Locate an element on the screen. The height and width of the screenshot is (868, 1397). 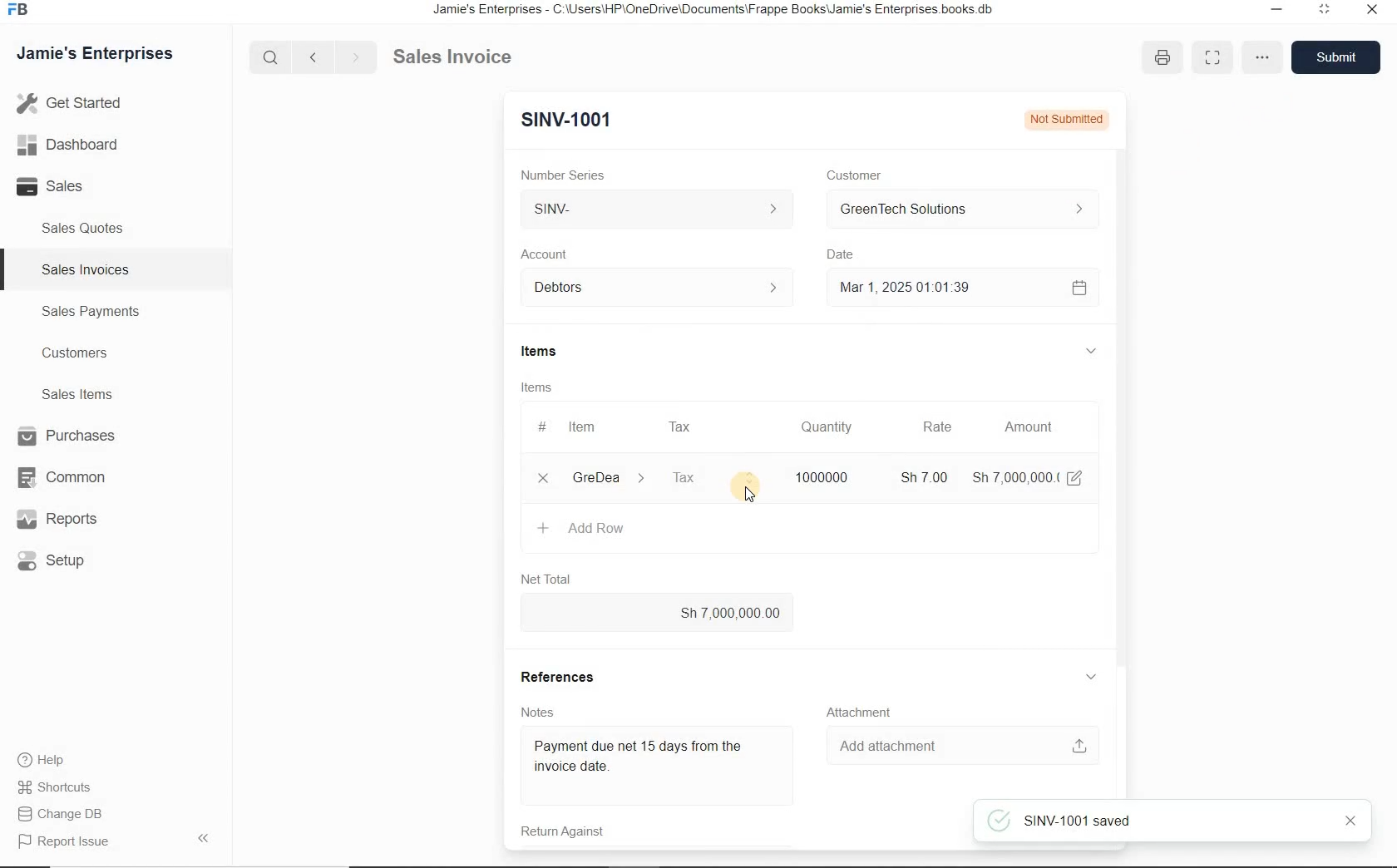
Sales Items is located at coordinates (73, 394).